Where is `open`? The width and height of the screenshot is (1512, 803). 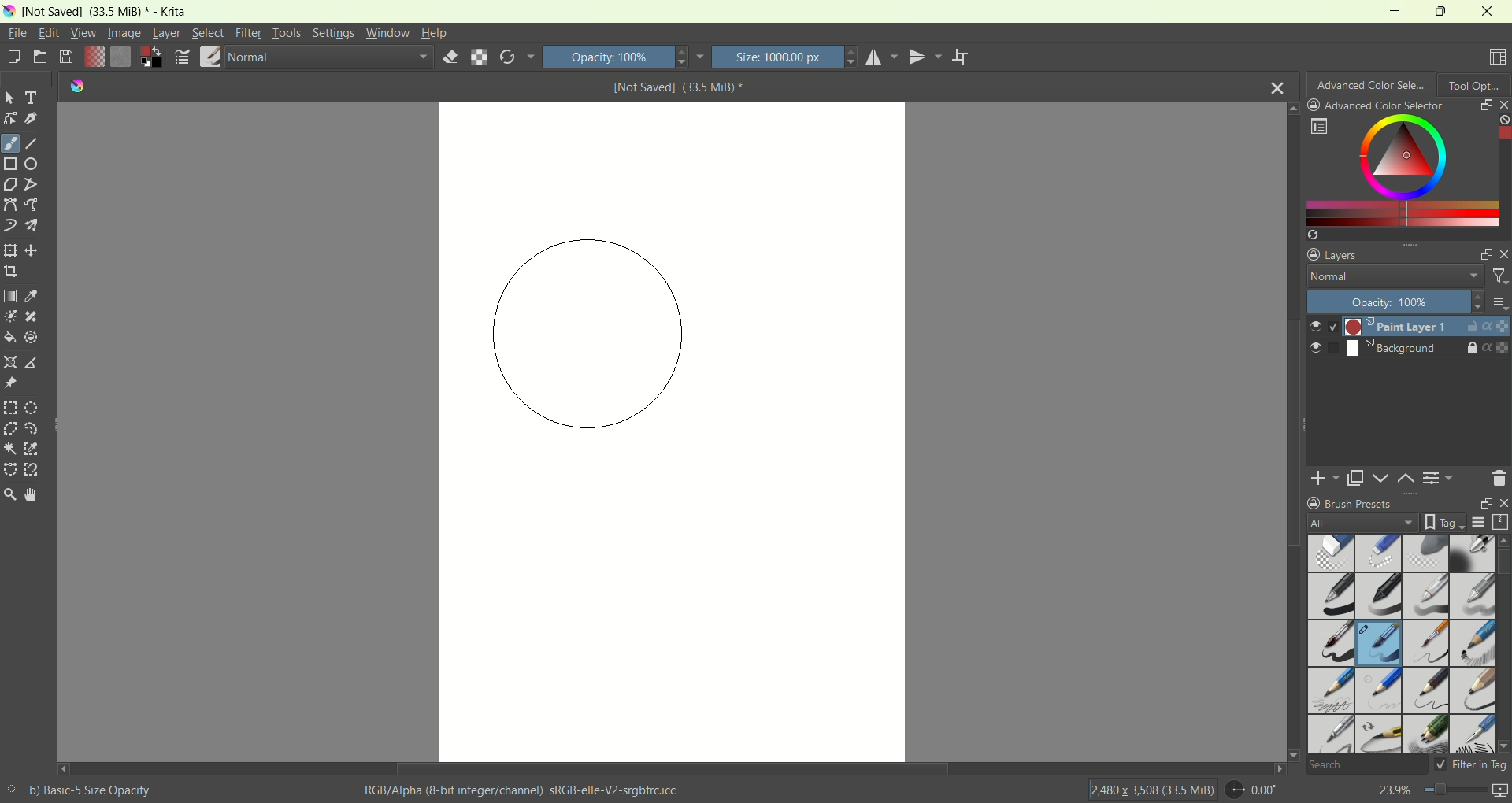
open is located at coordinates (39, 56).